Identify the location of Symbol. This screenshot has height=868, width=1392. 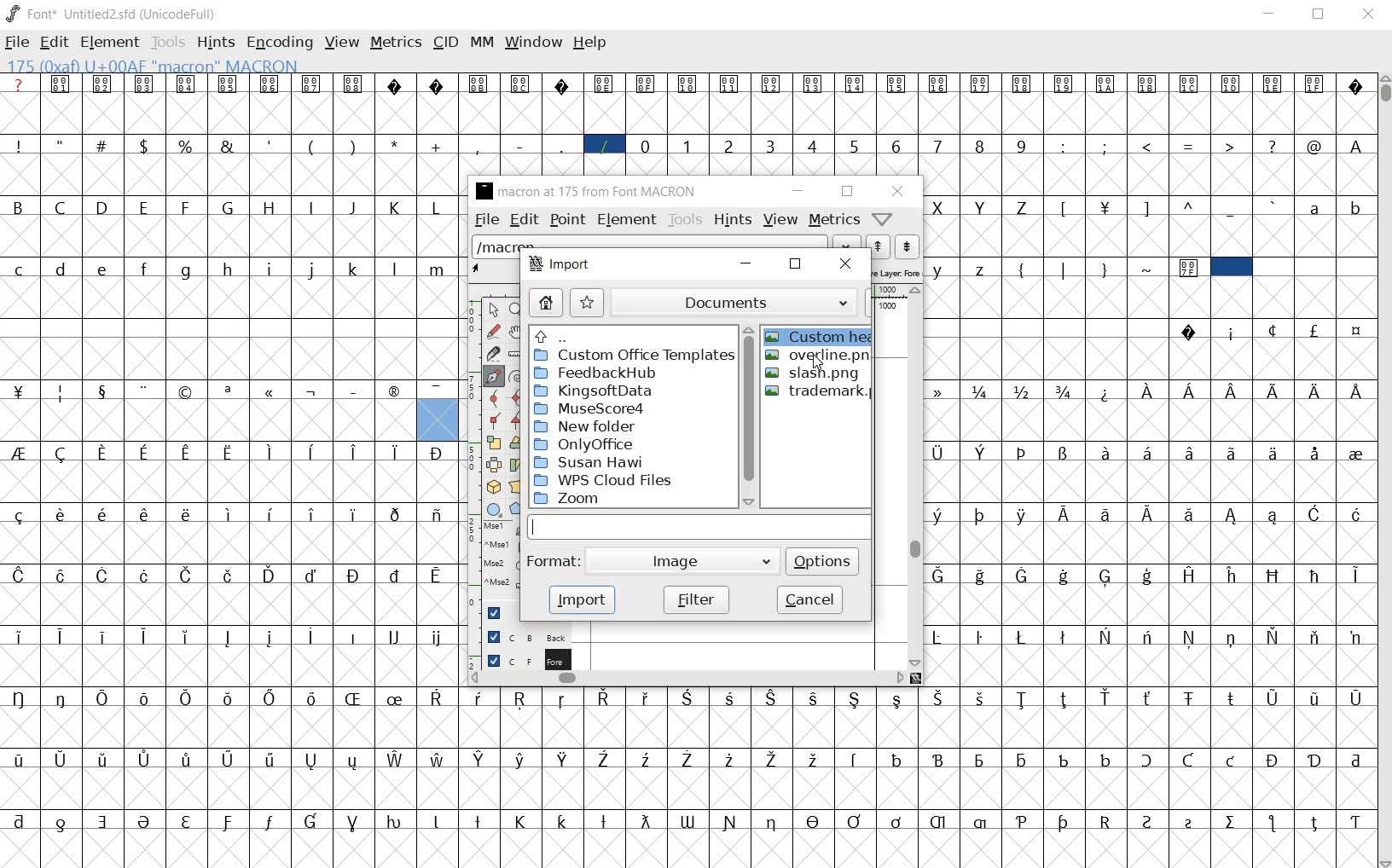
(981, 574).